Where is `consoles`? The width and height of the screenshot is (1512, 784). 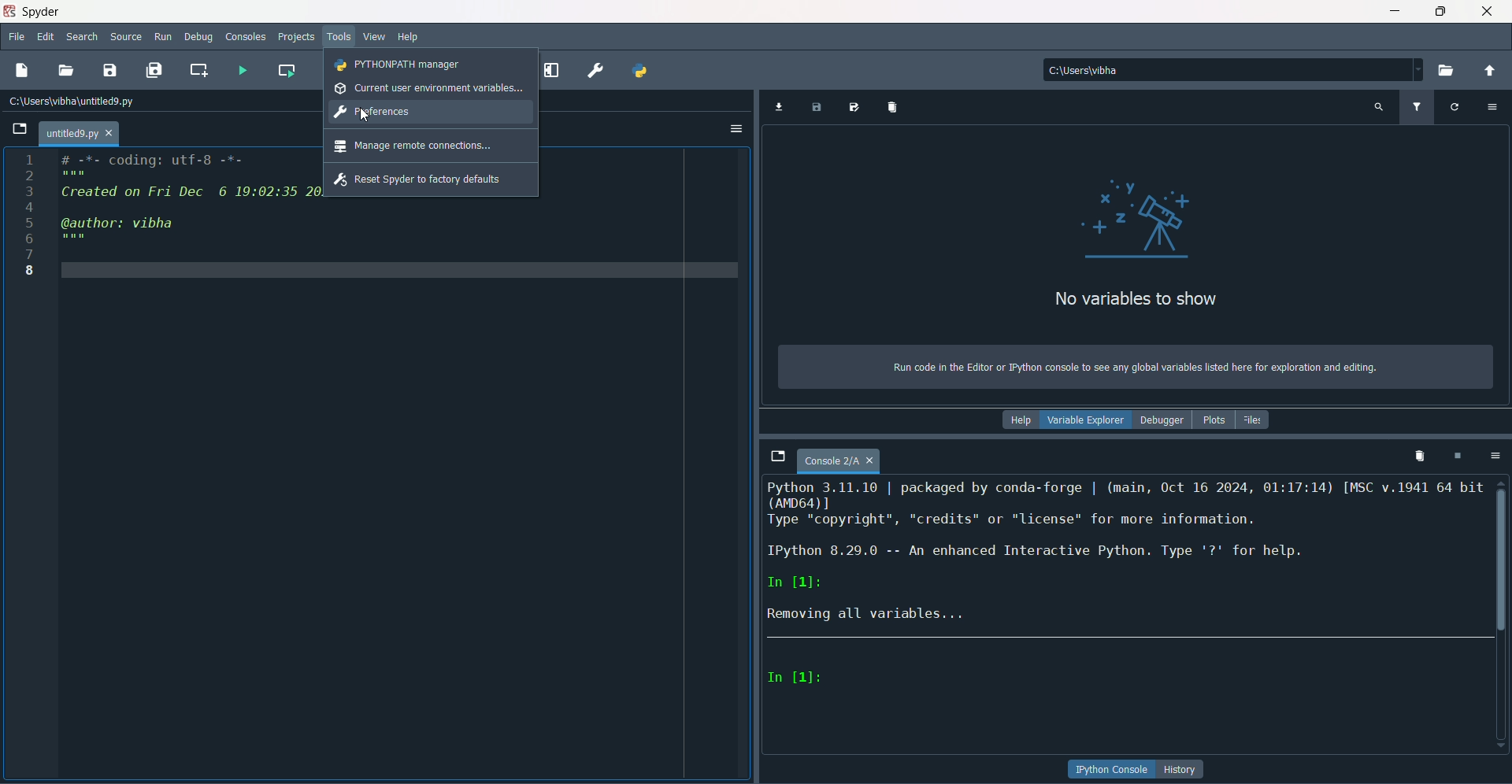 consoles is located at coordinates (246, 36).